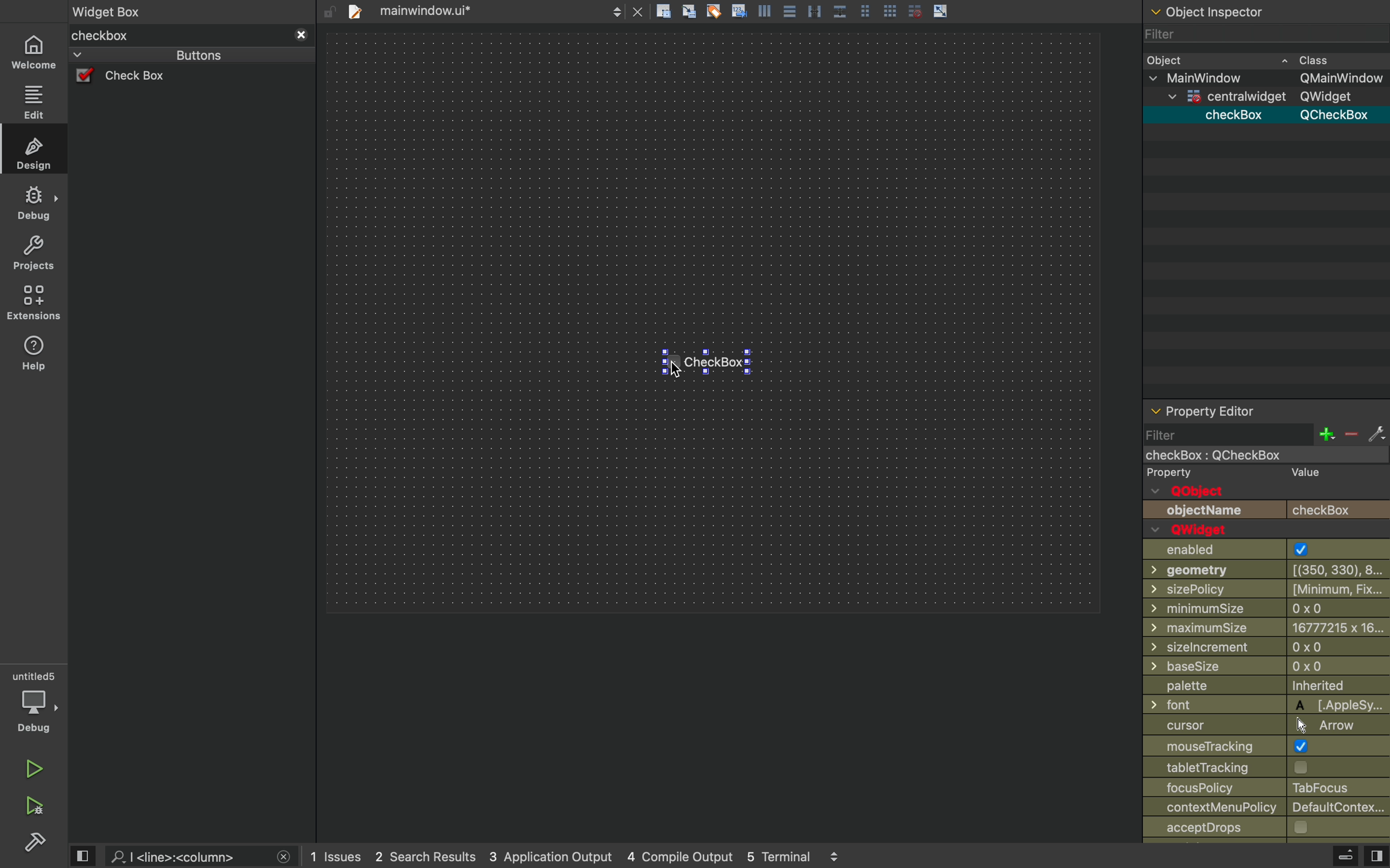 The width and height of the screenshot is (1390, 868). I want to click on projects, so click(31, 254).